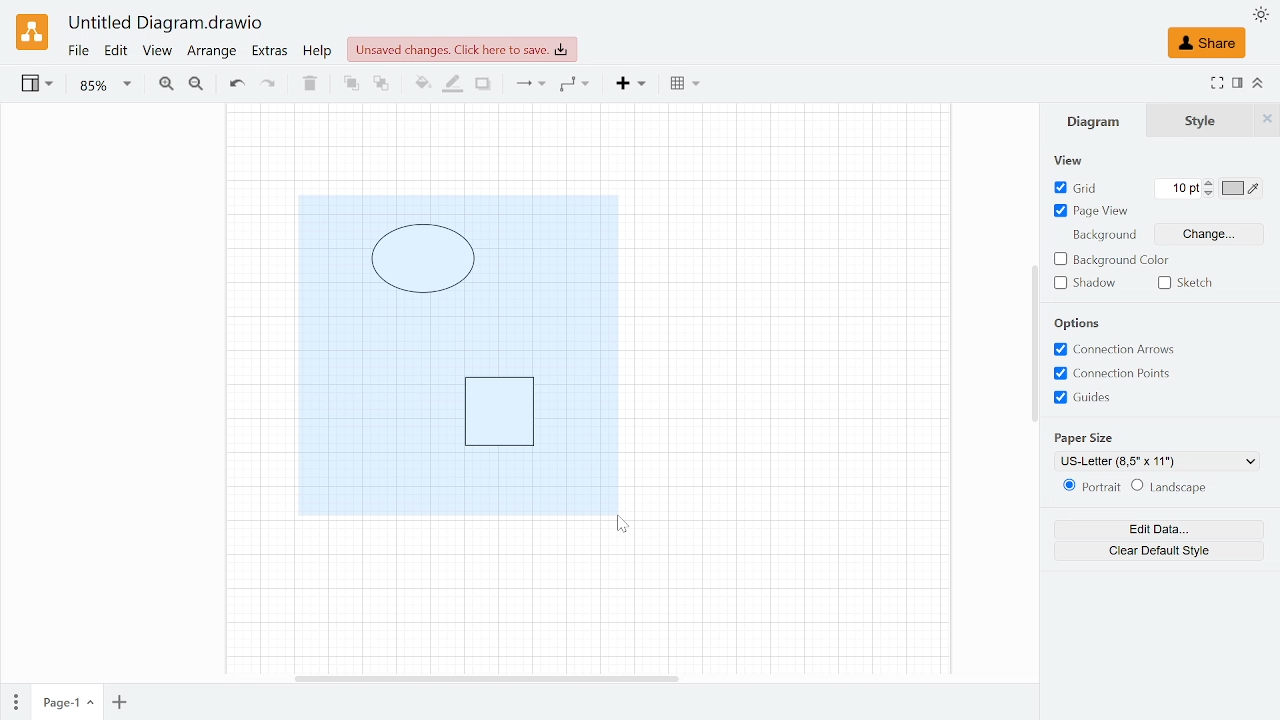  What do you see at coordinates (32, 32) in the screenshot?
I see `Draw.io logo` at bounding box center [32, 32].